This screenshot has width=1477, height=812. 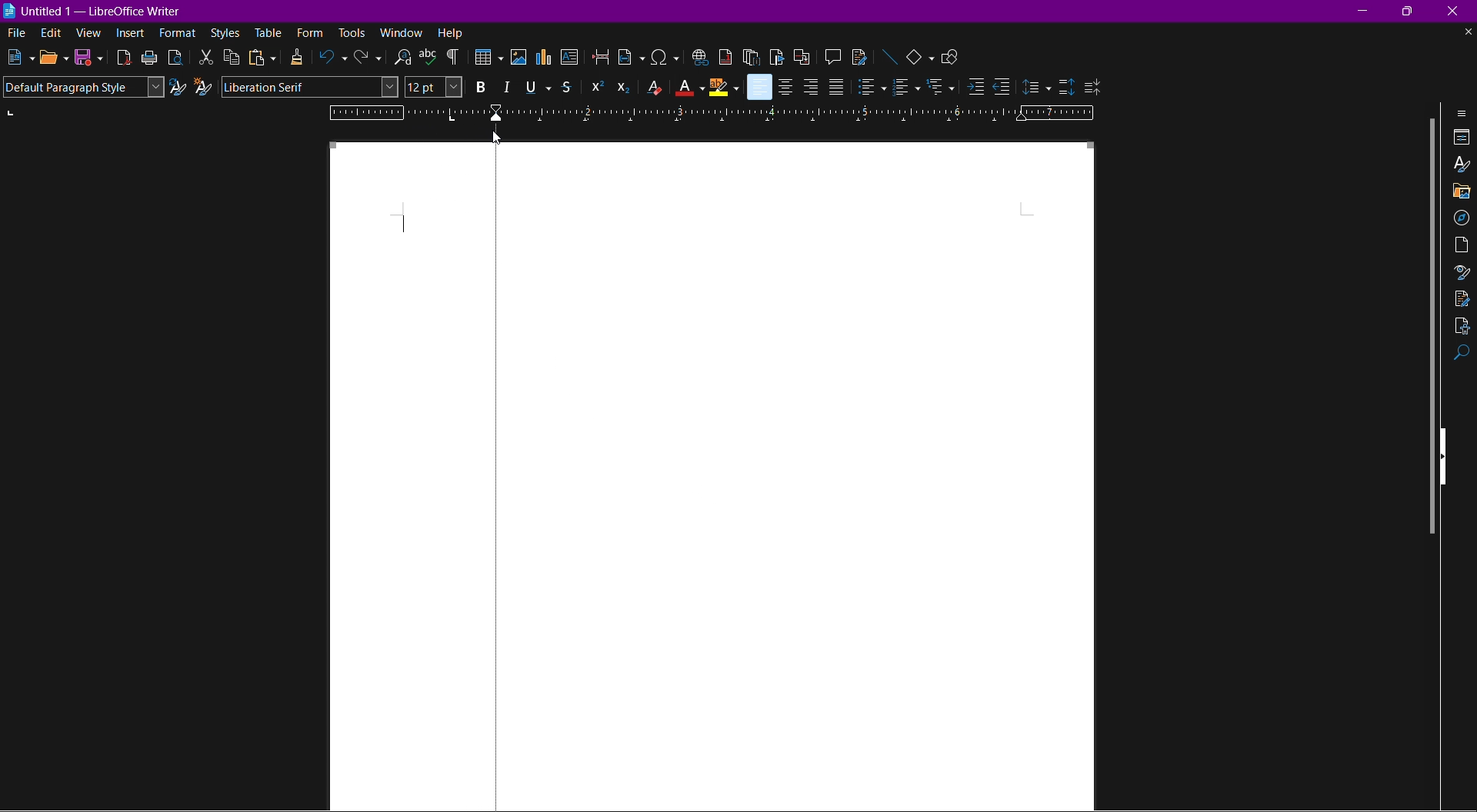 What do you see at coordinates (569, 87) in the screenshot?
I see `Strikethrough` at bounding box center [569, 87].